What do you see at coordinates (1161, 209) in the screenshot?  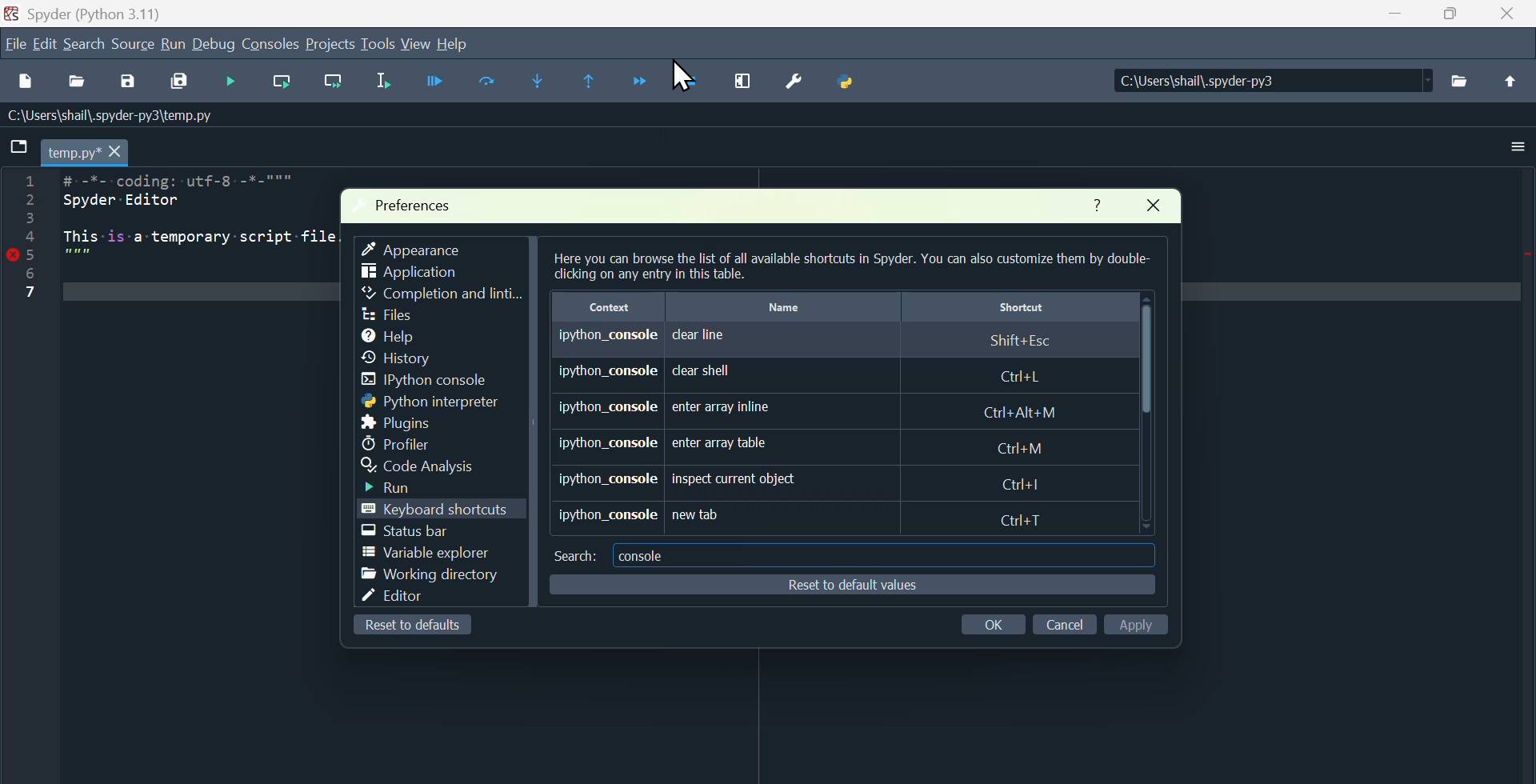 I see `close` at bounding box center [1161, 209].